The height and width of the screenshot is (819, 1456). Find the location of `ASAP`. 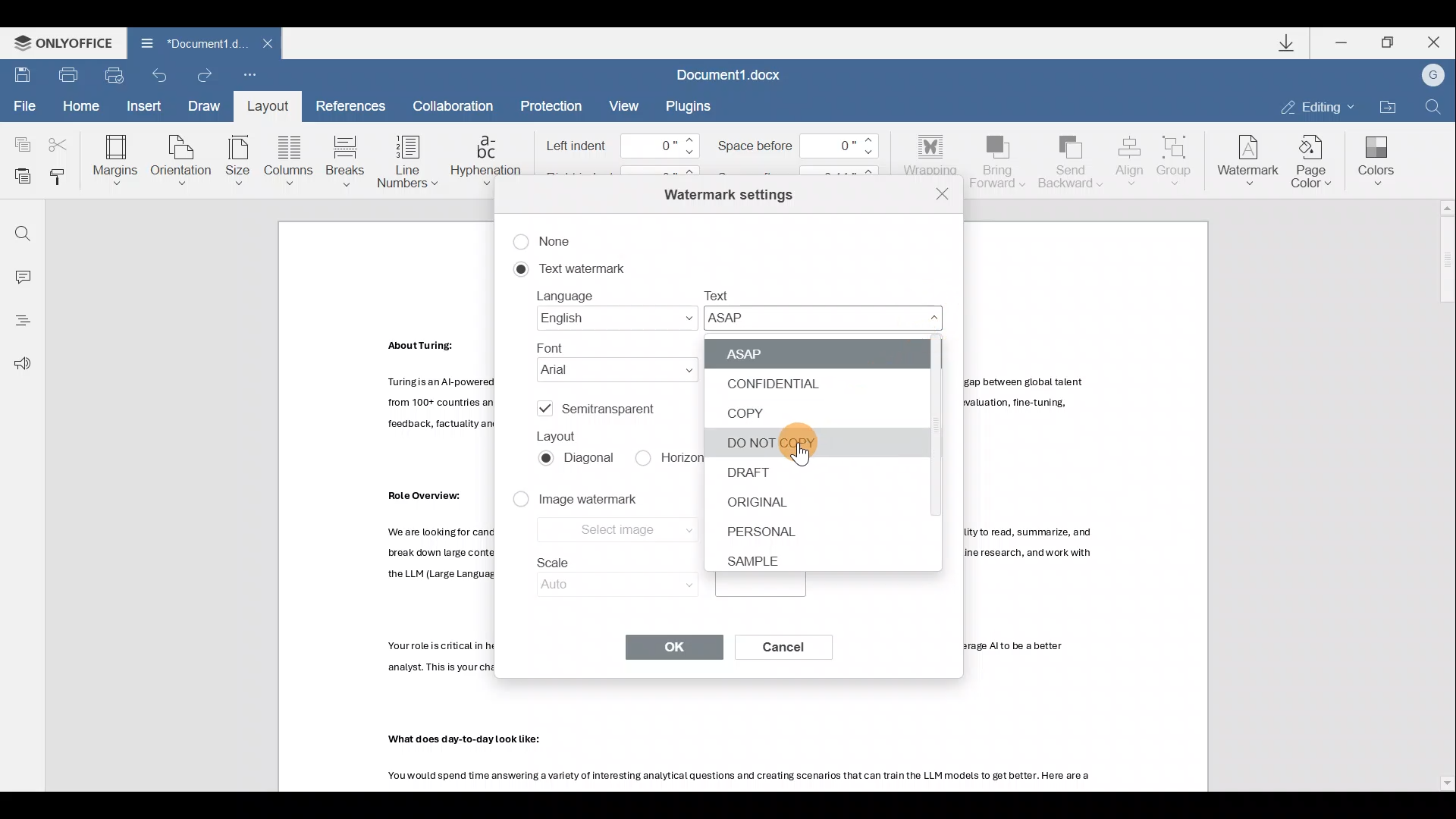

ASAP is located at coordinates (816, 350).